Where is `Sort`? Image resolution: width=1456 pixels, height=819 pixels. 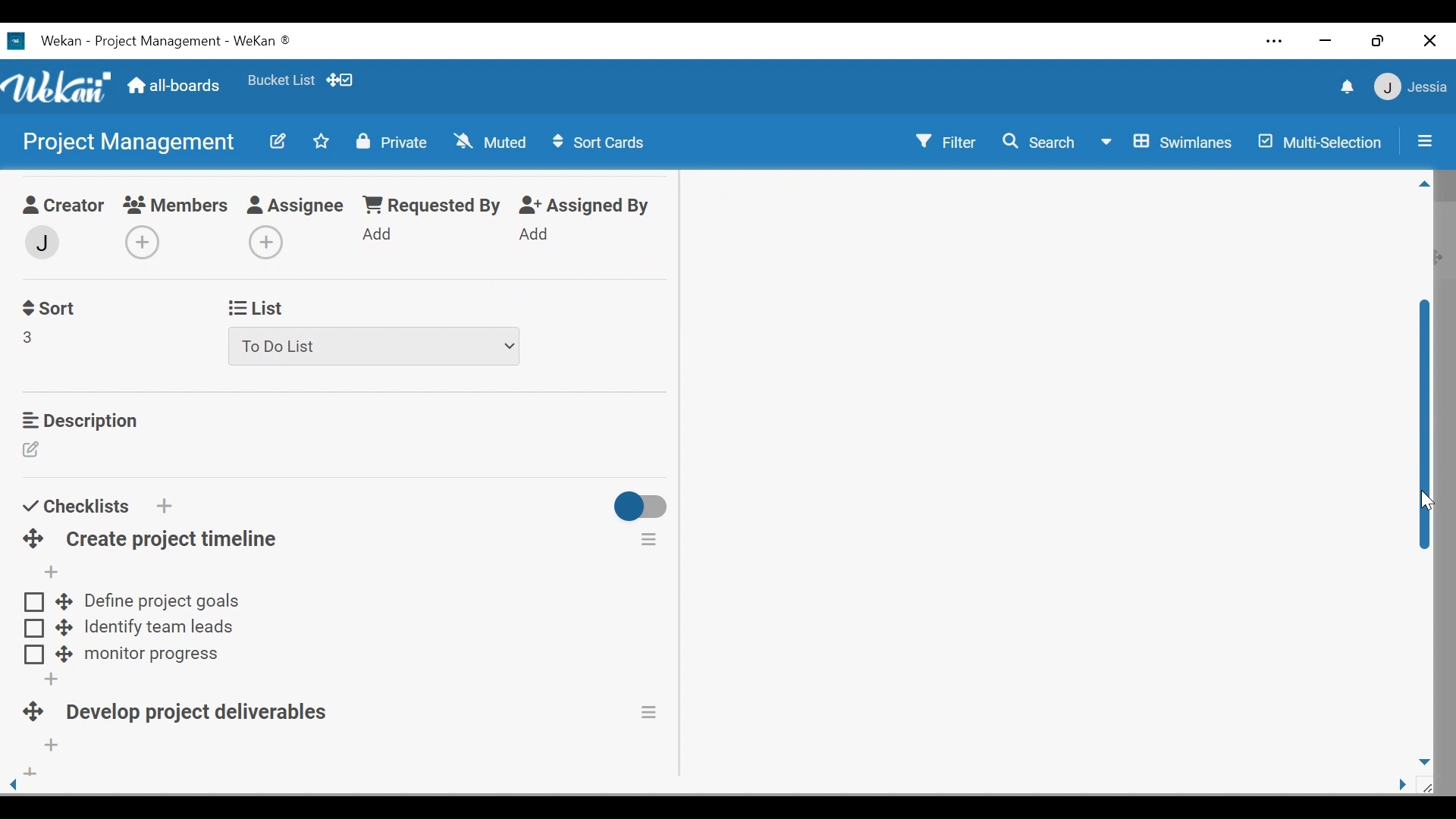 Sort is located at coordinates (48, 309).